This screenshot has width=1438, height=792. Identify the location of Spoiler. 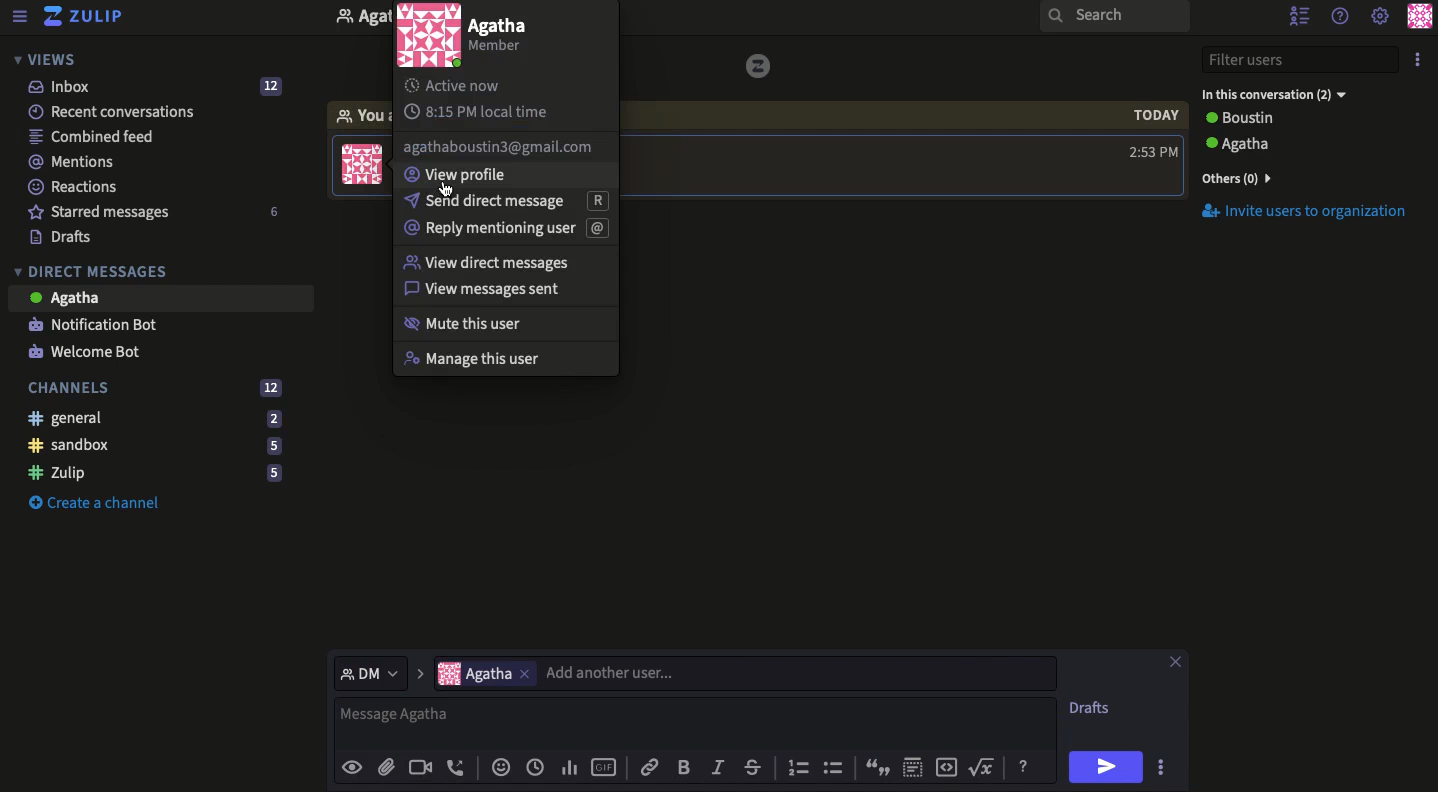
(916, 764).